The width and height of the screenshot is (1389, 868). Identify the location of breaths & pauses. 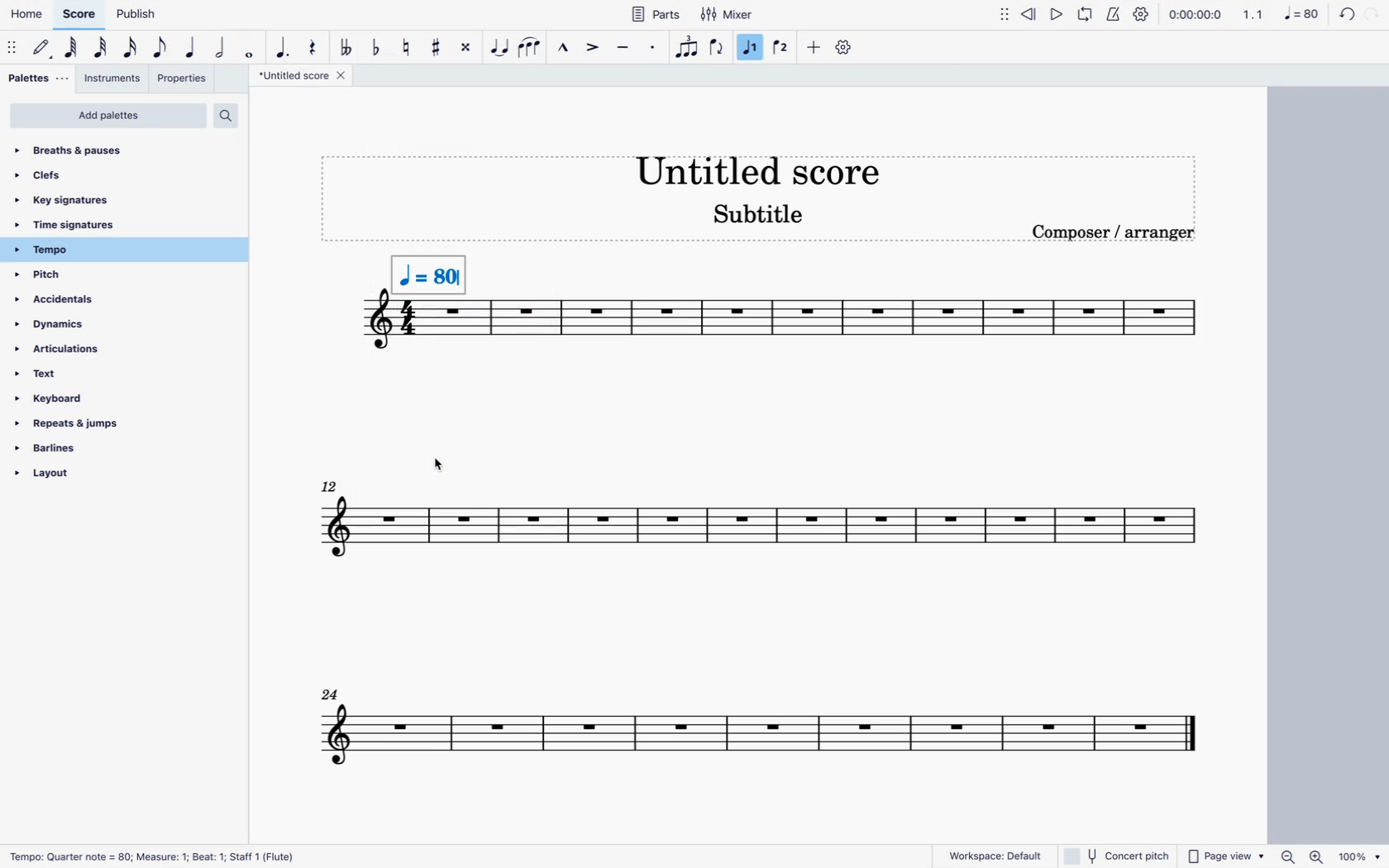
(100, 150).